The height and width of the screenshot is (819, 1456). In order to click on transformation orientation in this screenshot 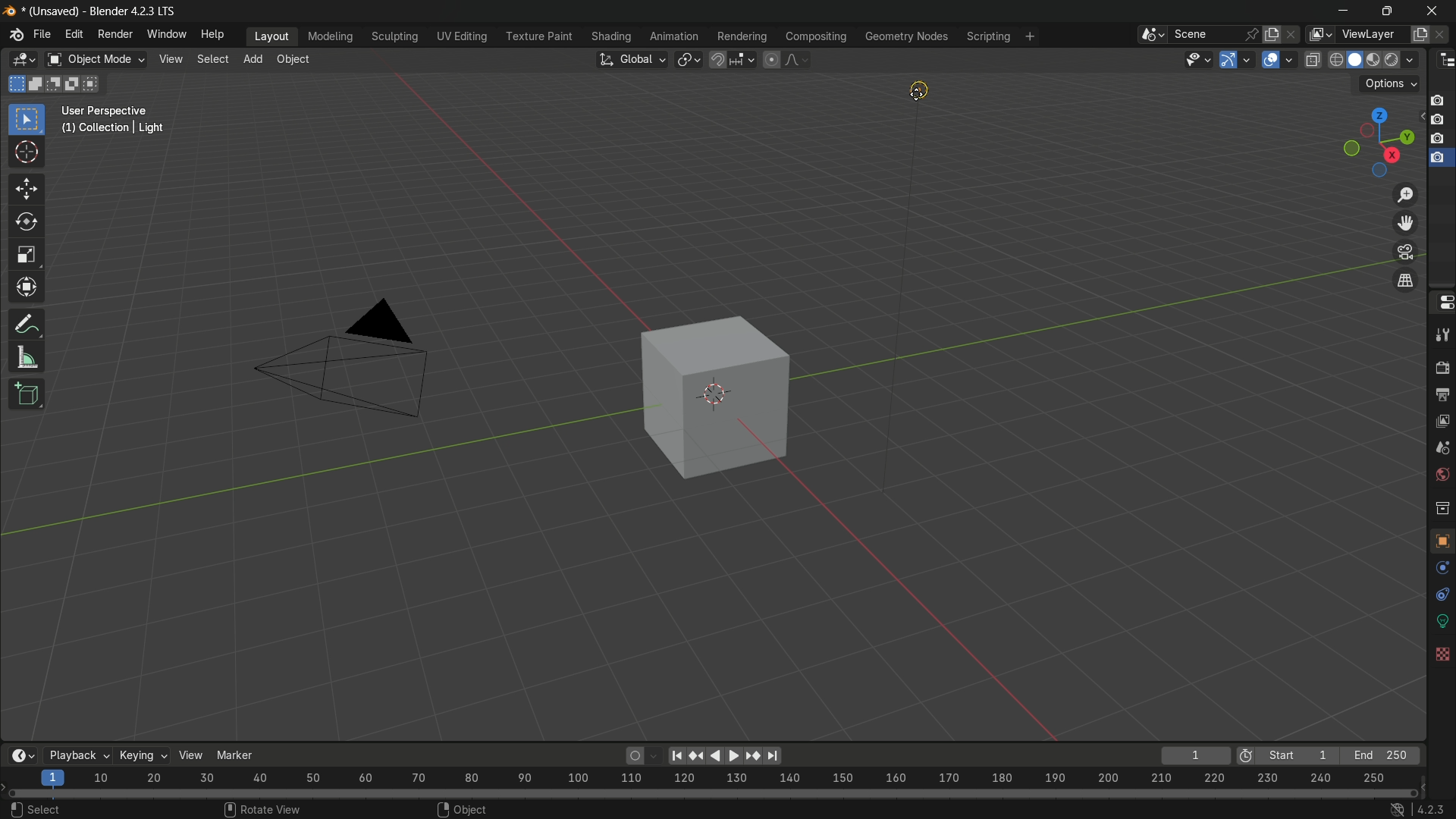, I will do `click(633, 59)`.